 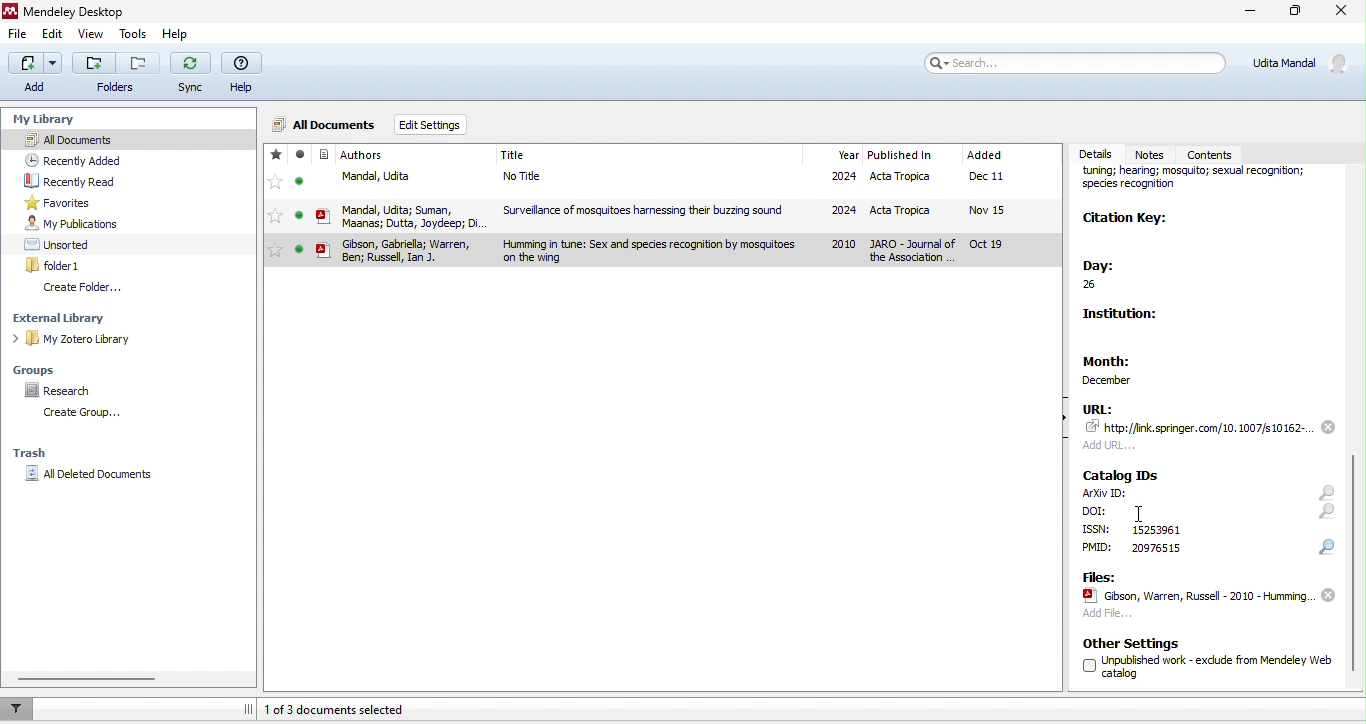 I want to click on scroll down, so click(x=1354, y=561).